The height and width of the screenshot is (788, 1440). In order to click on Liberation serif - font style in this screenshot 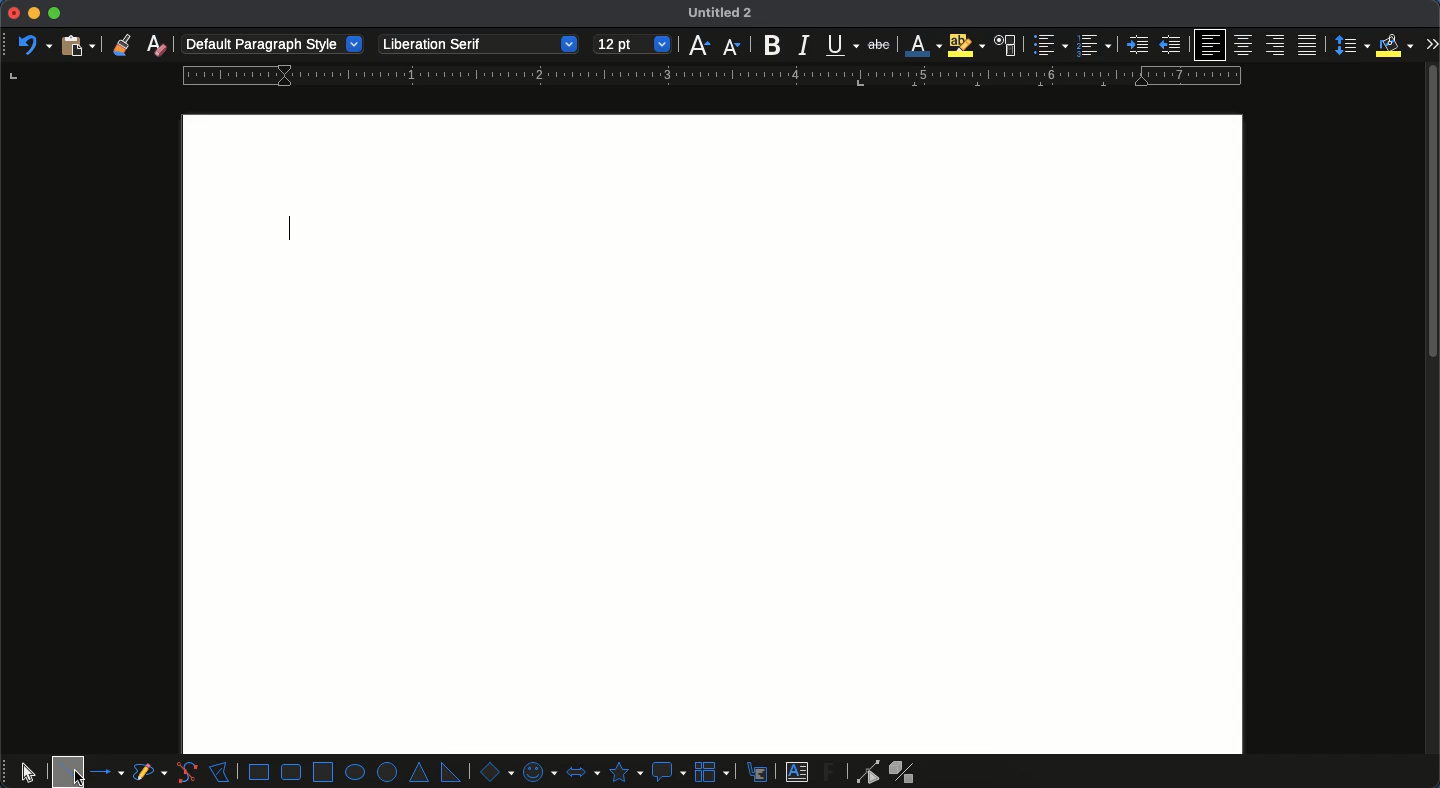, I will do `click(476, 44)`.